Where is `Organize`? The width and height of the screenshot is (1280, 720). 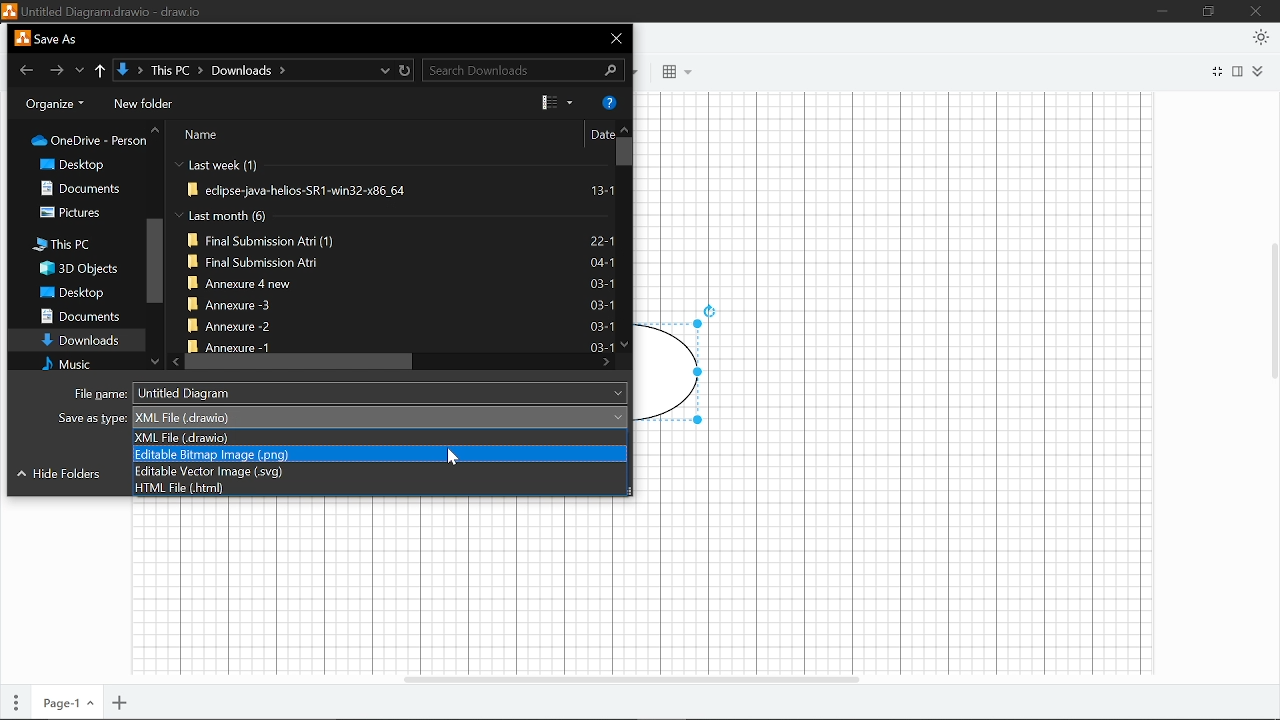 Organize is located at coordinates (55, 105).